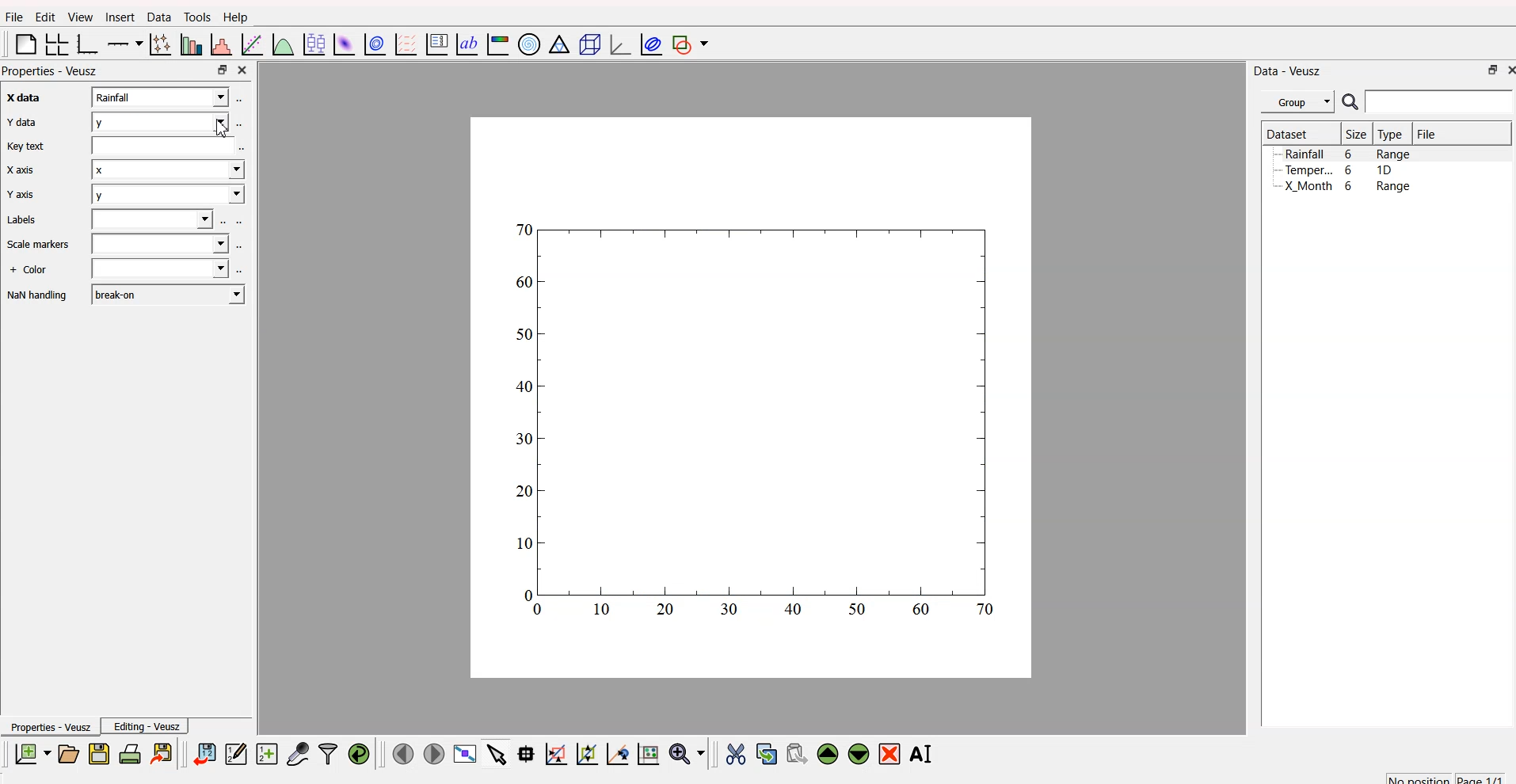  I want to click on x, so click(161, 97).